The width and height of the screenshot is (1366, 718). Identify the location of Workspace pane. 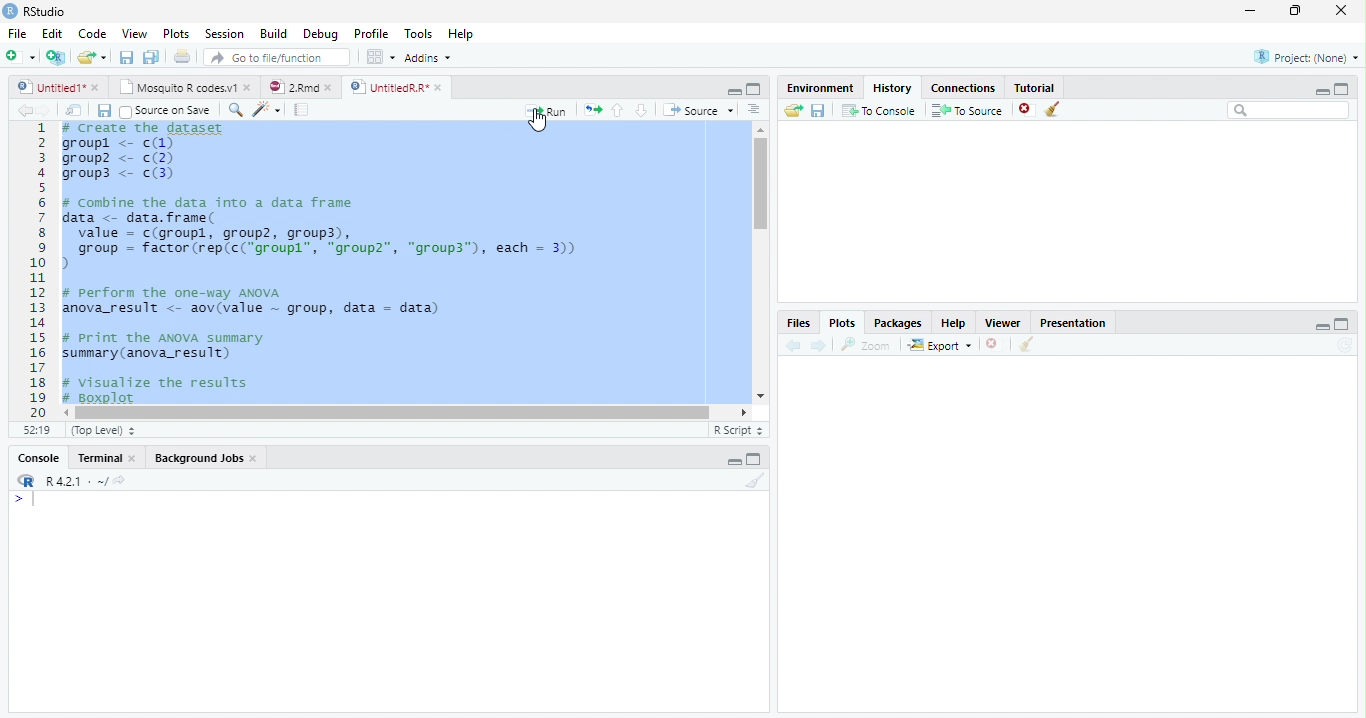
(379, 56).